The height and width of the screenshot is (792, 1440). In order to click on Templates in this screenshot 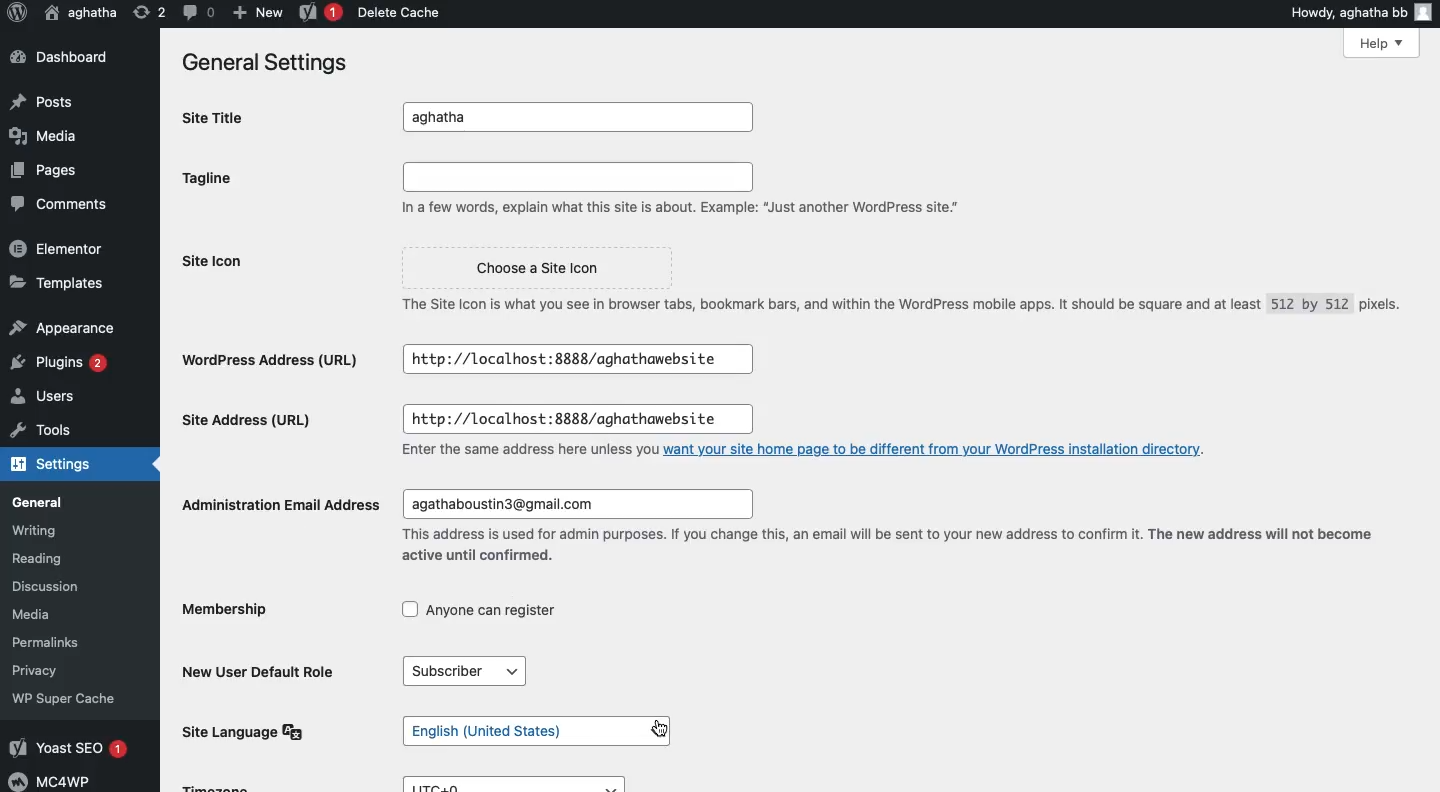, I will do `click(53, 282)`.